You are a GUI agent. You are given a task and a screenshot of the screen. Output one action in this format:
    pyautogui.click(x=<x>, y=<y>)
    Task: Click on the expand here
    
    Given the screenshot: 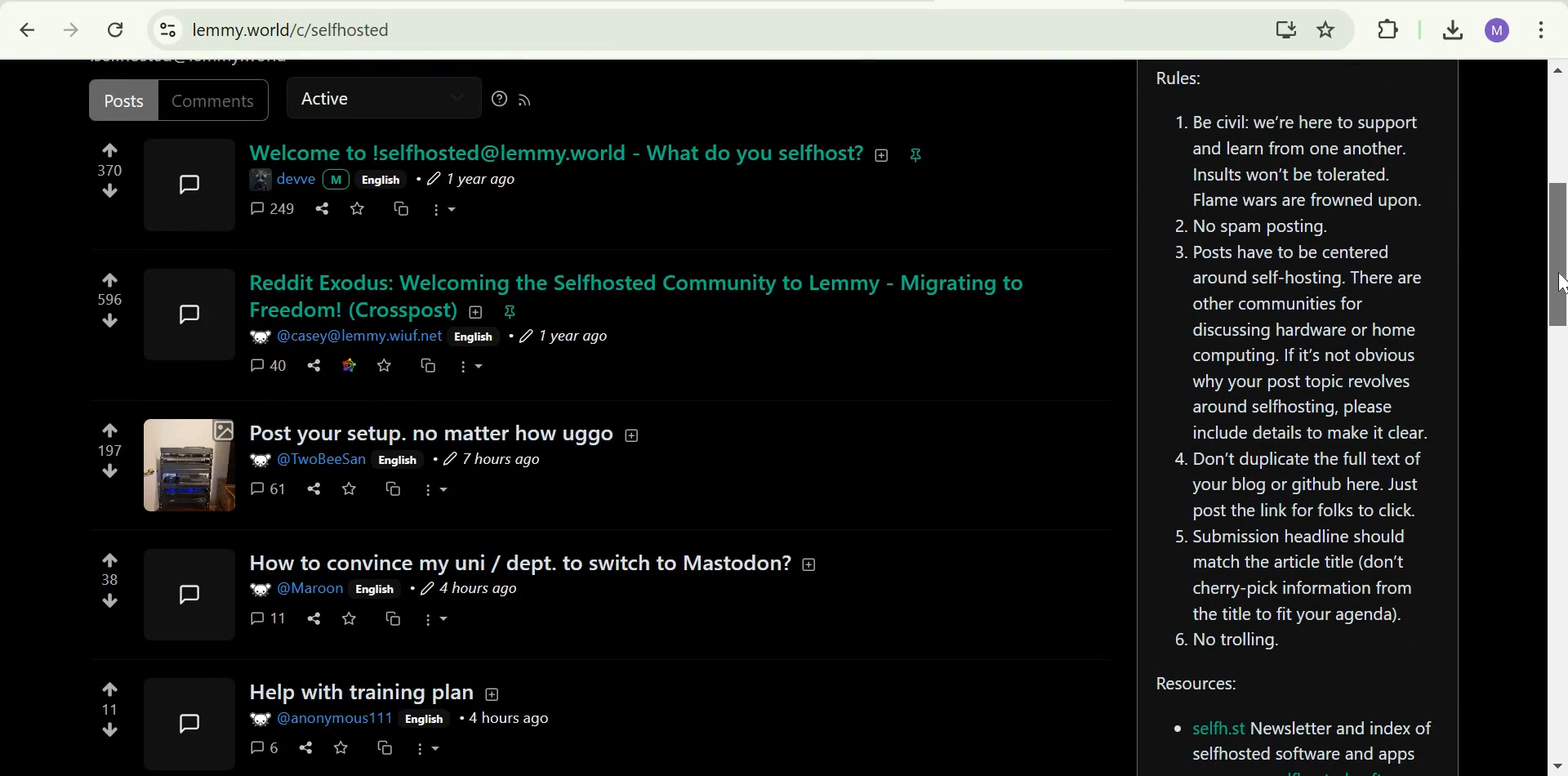 What is the action you would take?
    pyautogui.click(x=190, y=184)
    